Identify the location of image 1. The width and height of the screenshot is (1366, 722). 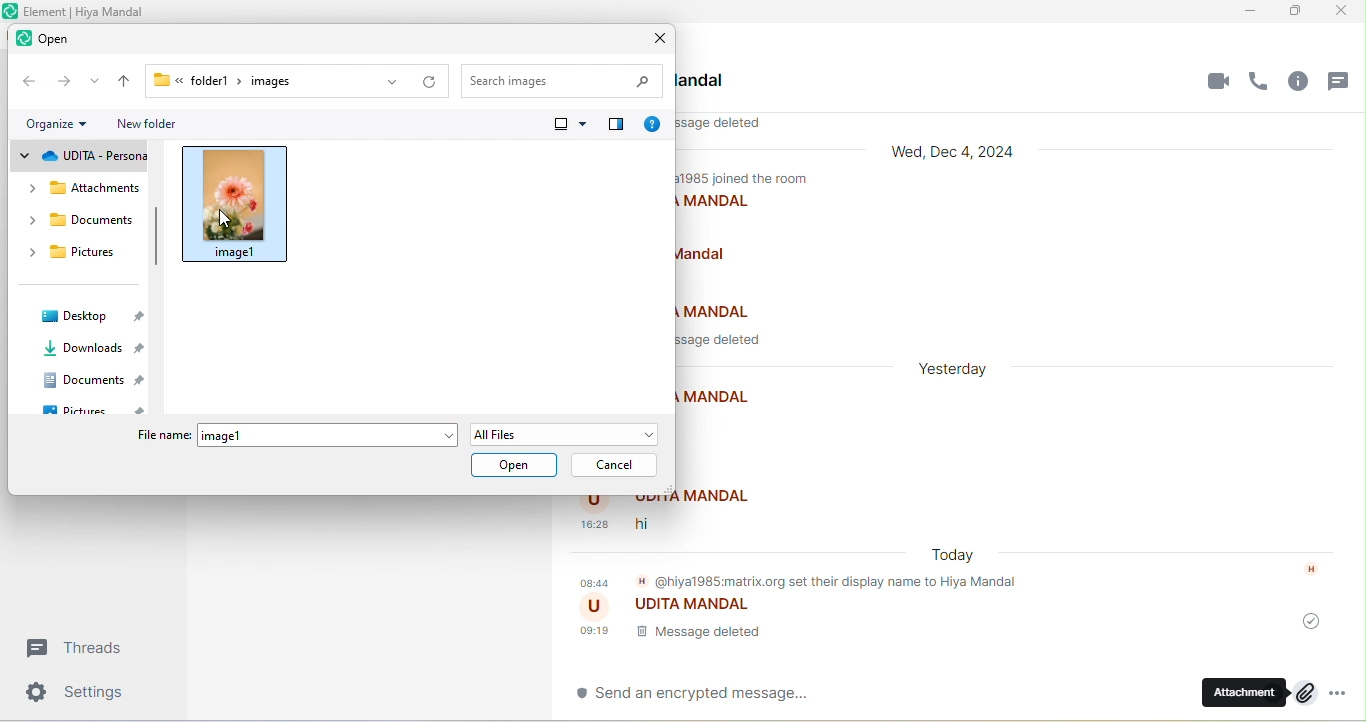
(237, 203).